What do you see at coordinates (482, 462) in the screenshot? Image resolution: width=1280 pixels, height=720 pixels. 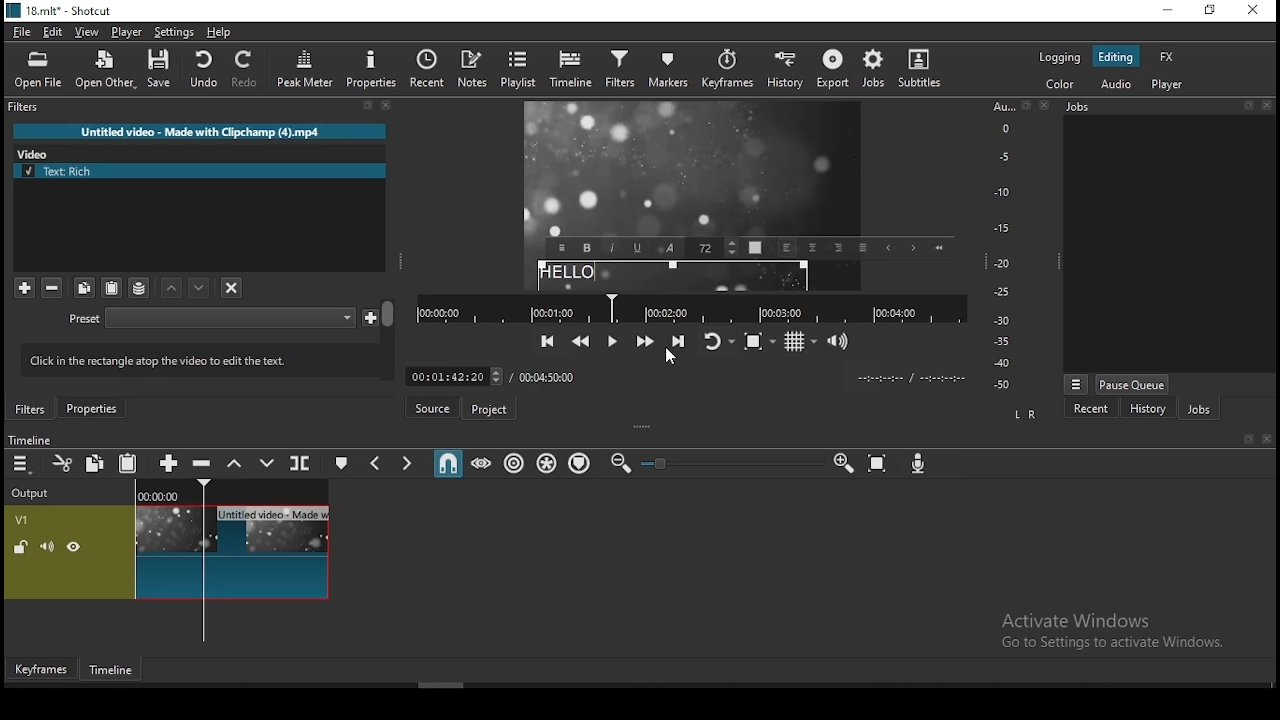 I see `scrub while dragging` at bounding box center [482, 462].